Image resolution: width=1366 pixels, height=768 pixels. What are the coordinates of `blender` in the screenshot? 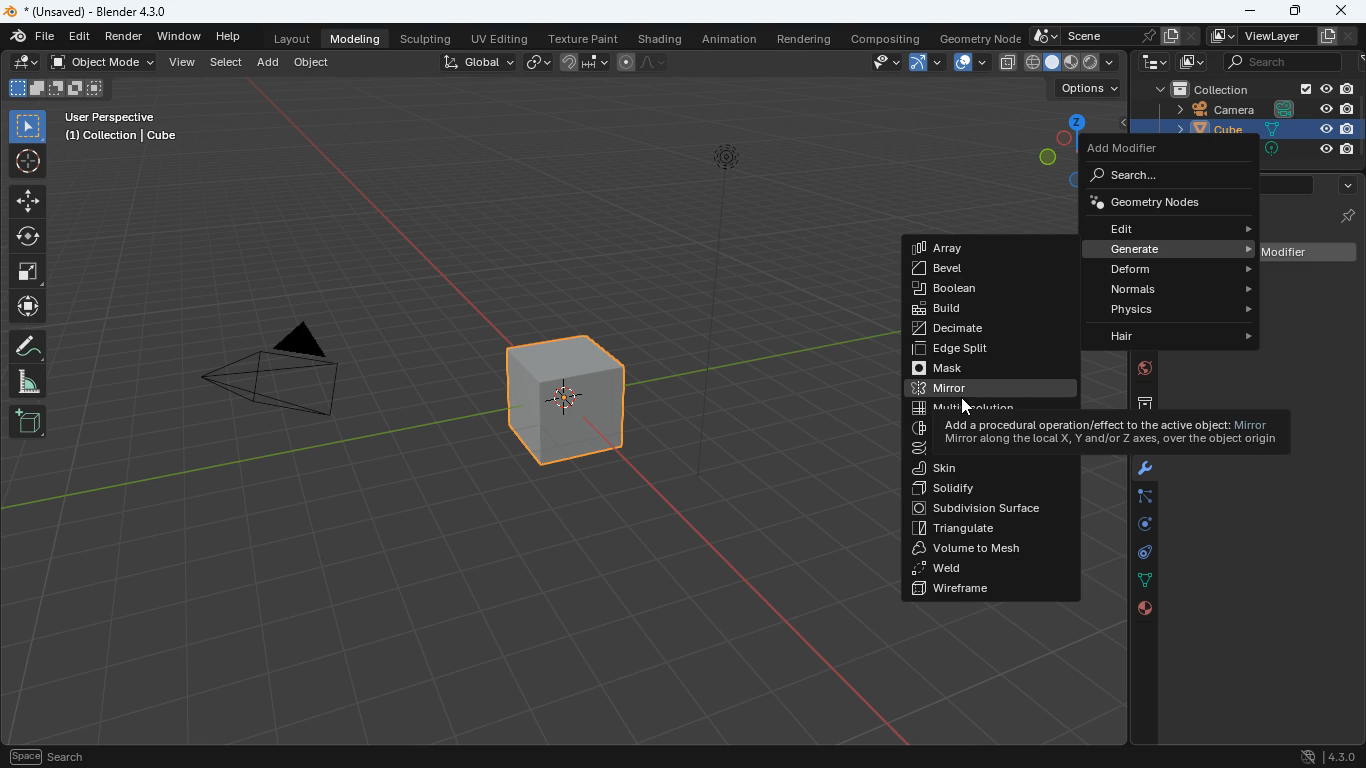 It's located at (9, 12).